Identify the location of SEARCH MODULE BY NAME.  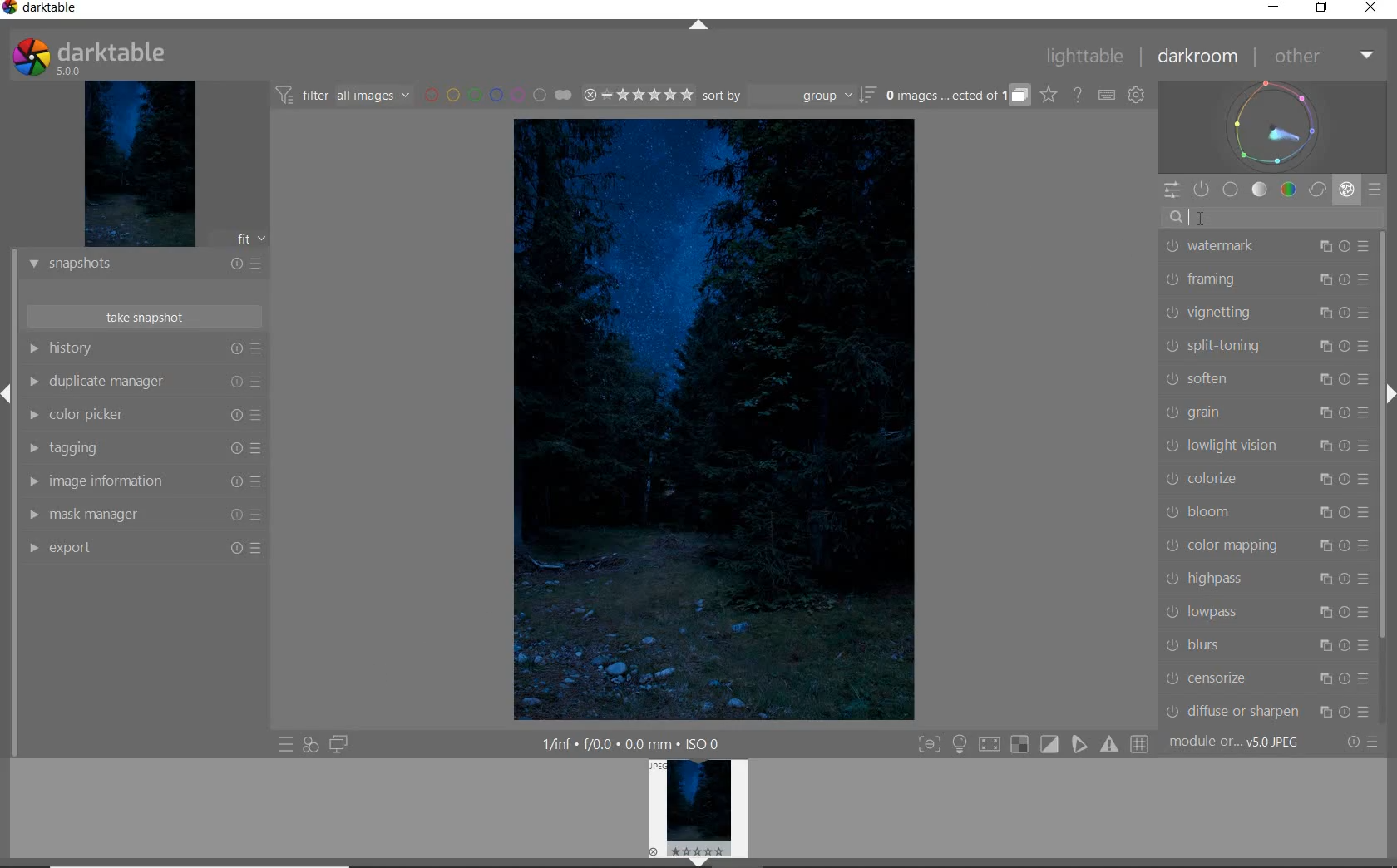
(1269, 217).